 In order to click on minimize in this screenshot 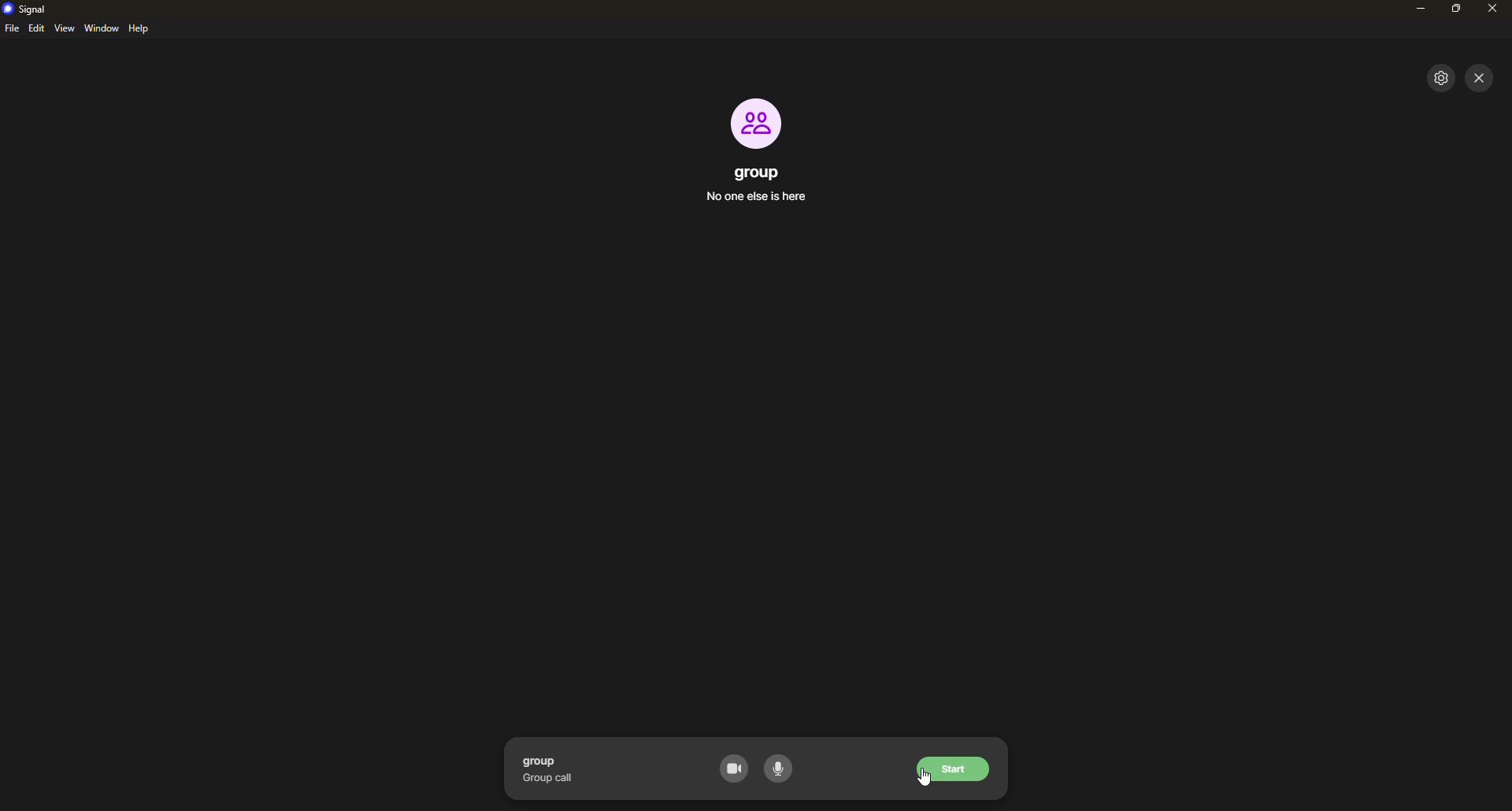, I will do `click(1416, 11)`.